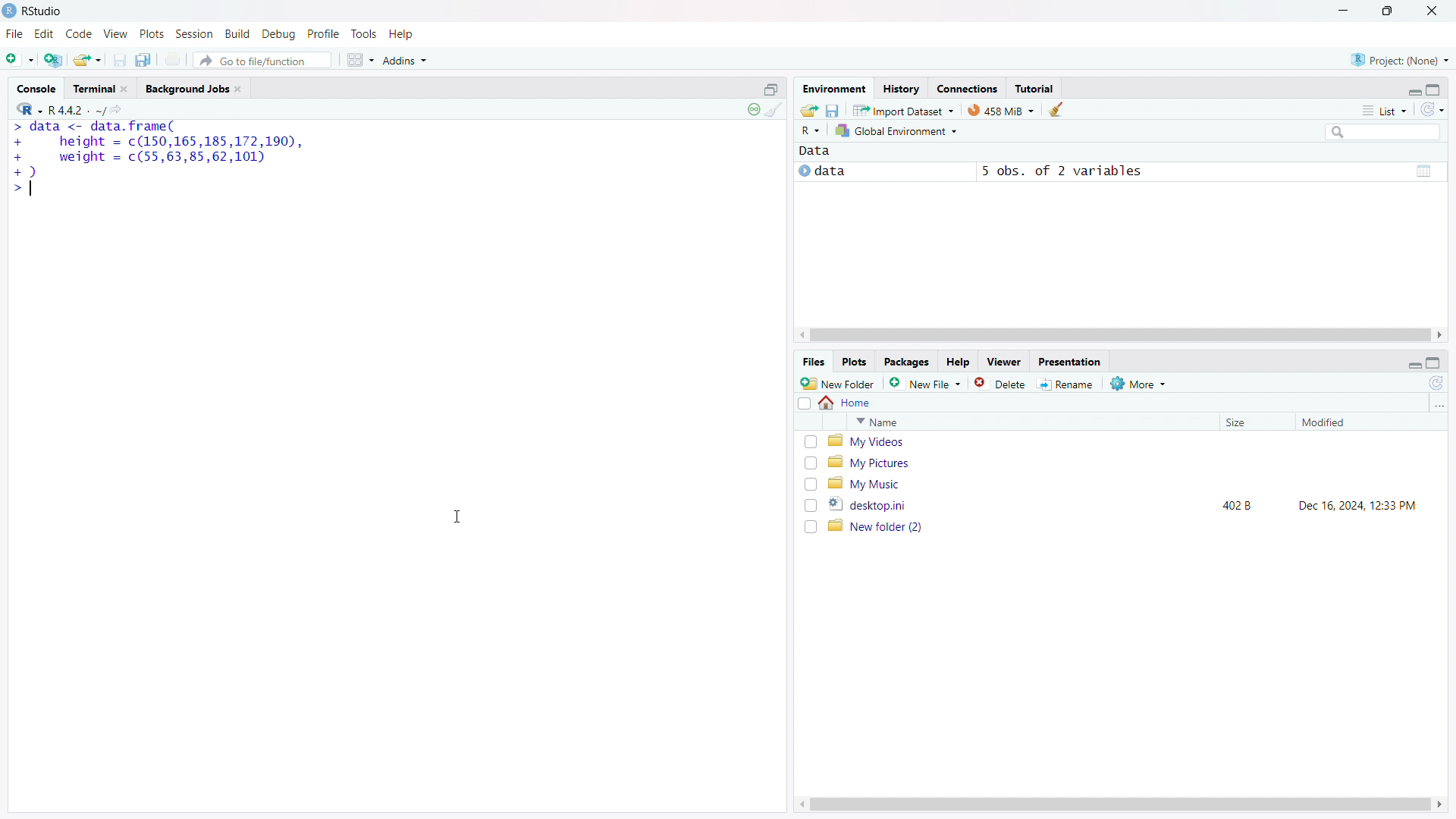 The width and height of the screenshot is (1456, 819). What do you see at coordinates (904, 109) in the screenshot?
I see `import dataset` at bounding box center [904, 109].